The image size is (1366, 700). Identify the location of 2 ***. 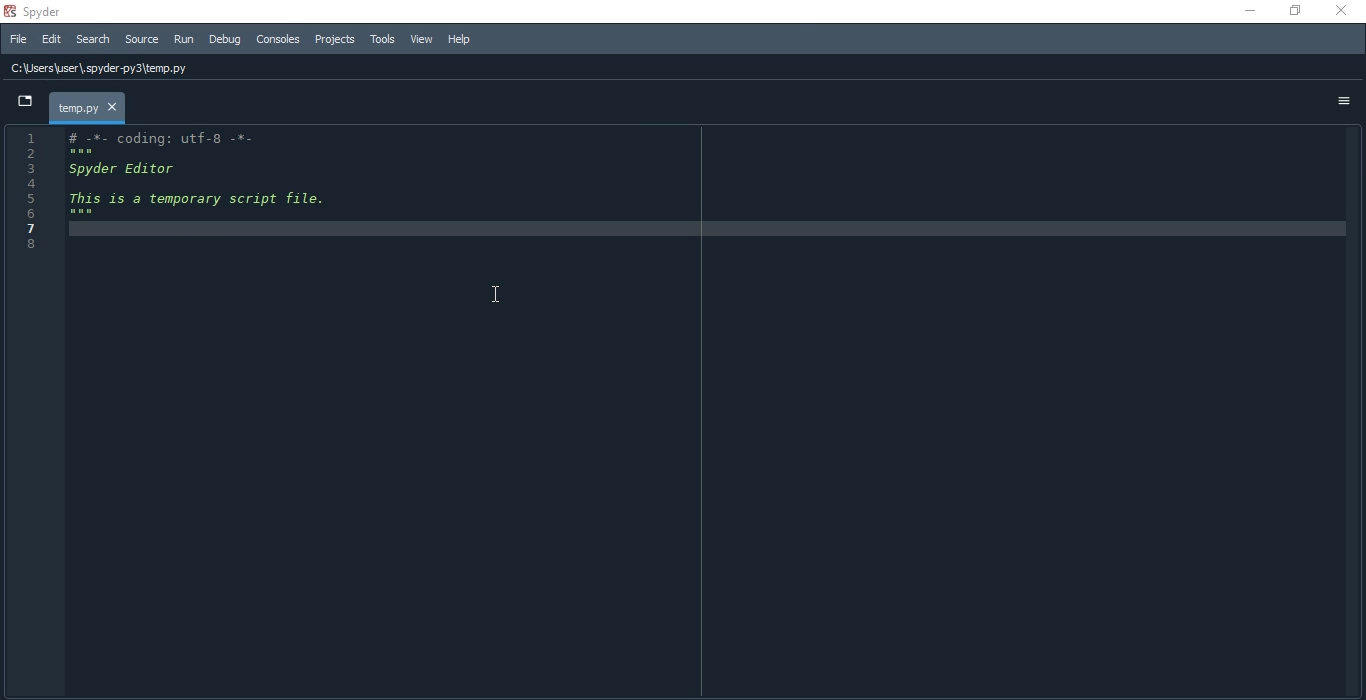
(76, 152).